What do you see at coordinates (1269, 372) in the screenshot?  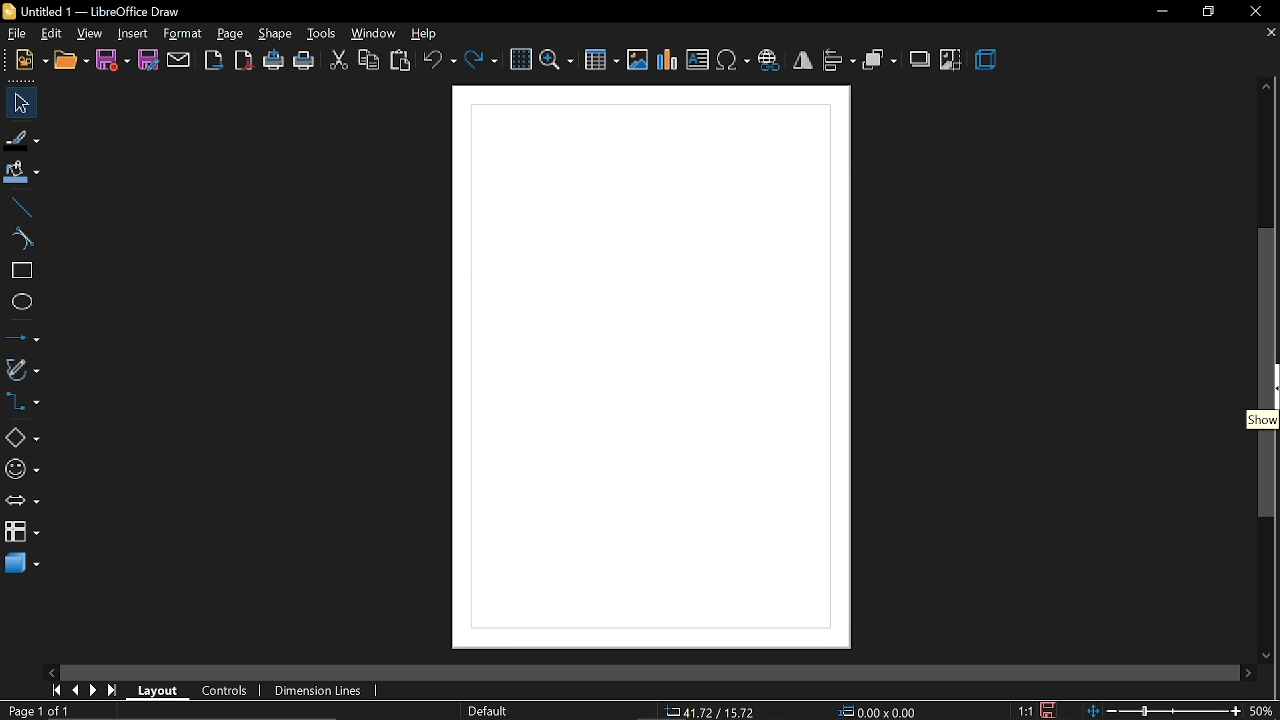 I see `vertical scrollbar` at bounding box center [1269, 372].